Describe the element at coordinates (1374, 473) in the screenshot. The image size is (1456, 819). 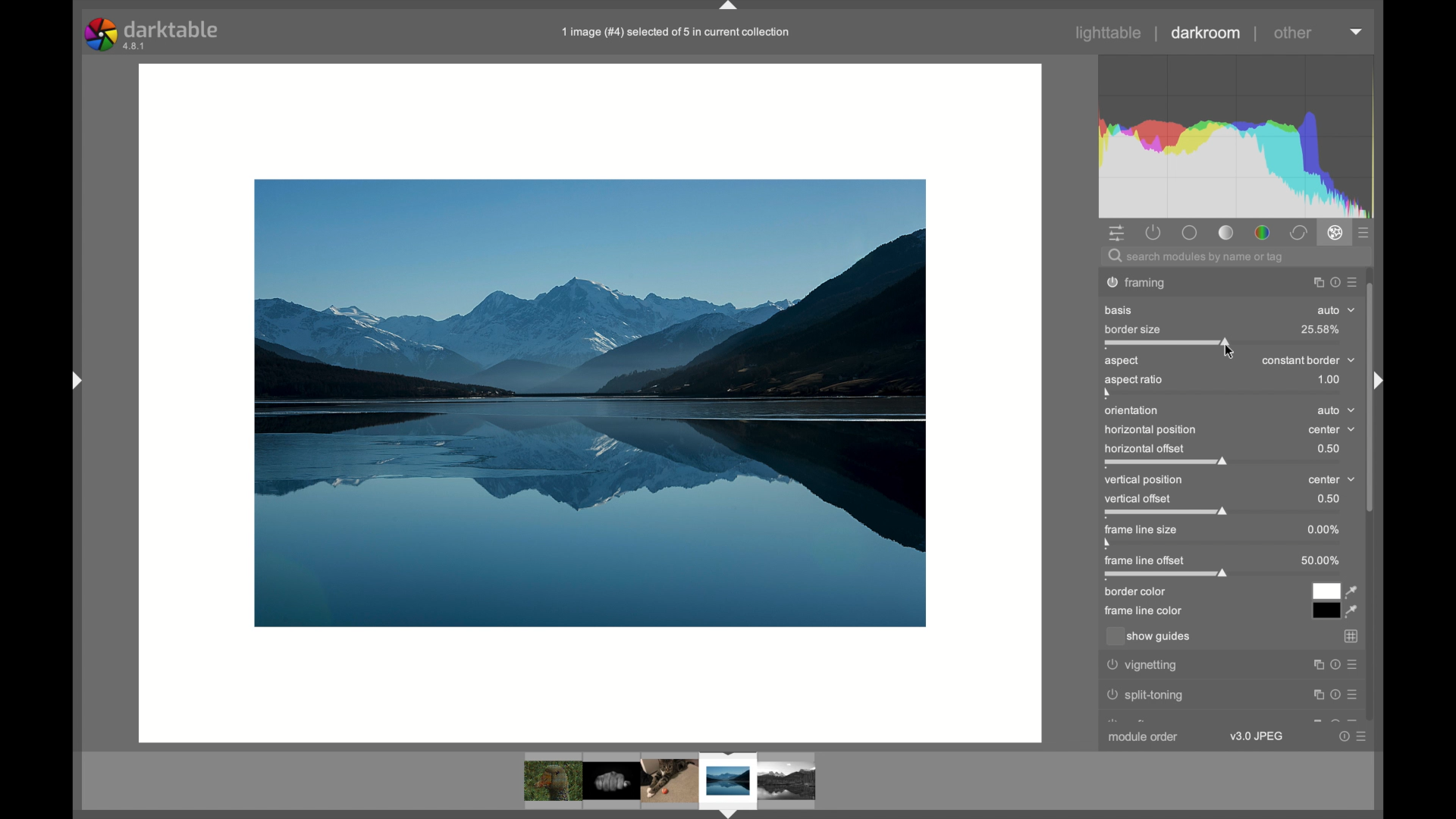
I see `scroll box` at that location.